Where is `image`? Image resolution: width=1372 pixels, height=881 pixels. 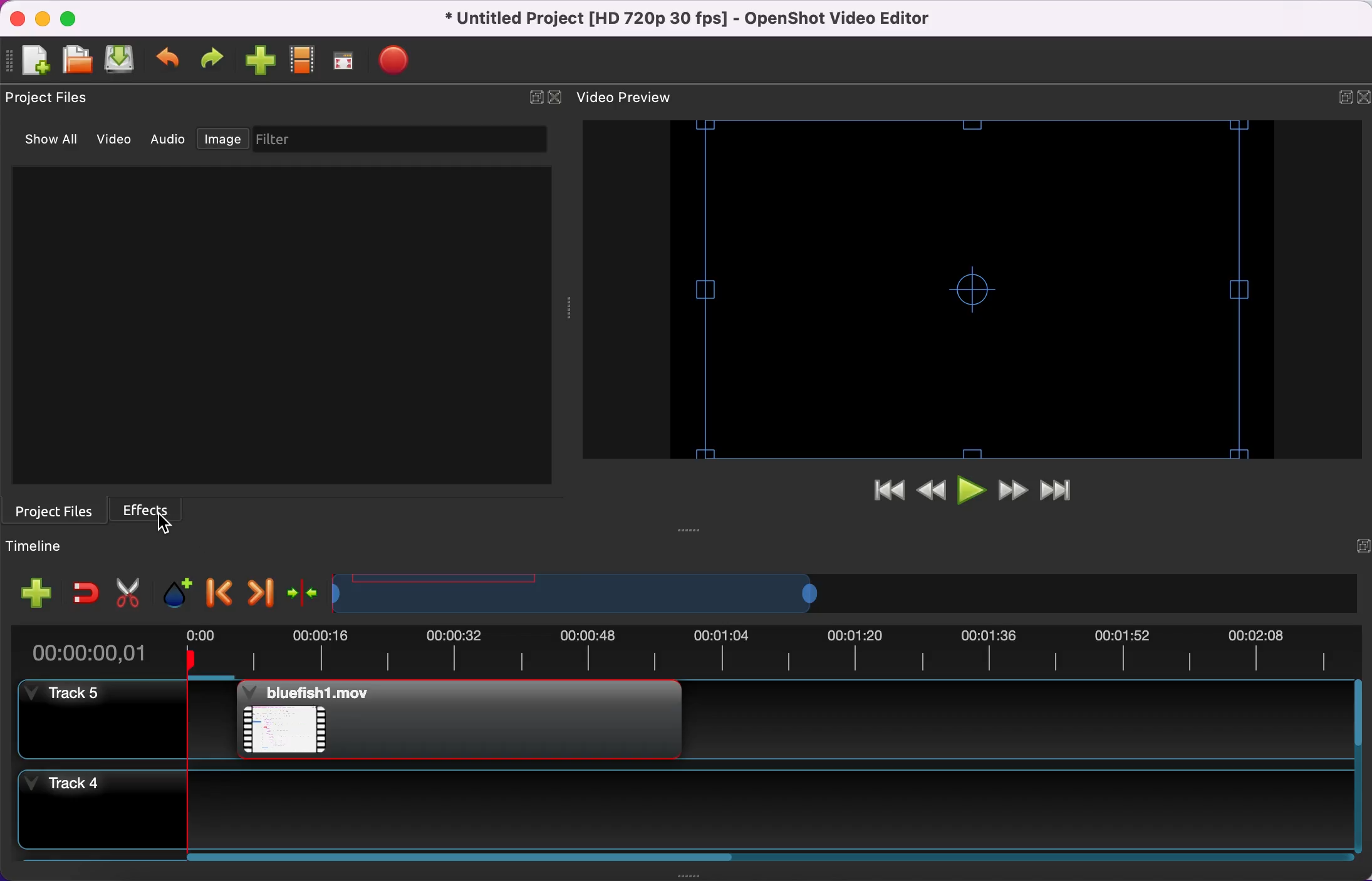 image is located at coordinates (221, 140).